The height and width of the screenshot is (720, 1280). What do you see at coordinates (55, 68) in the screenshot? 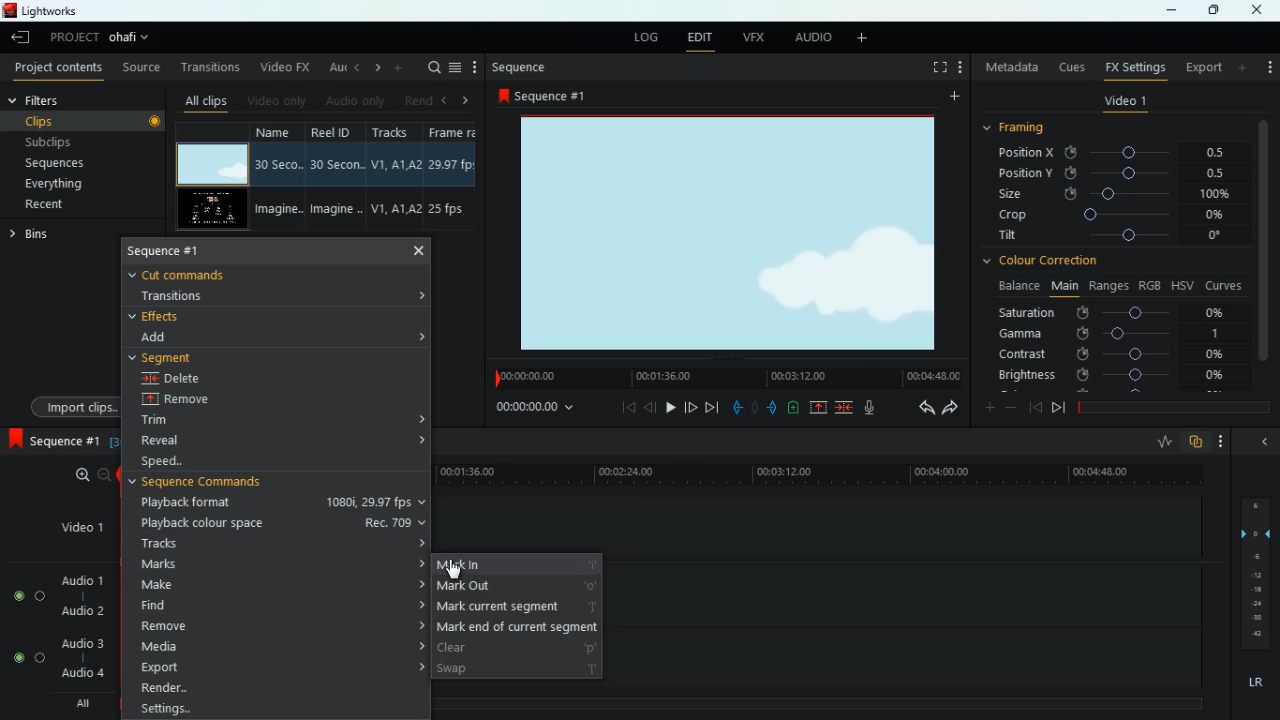
I see `project contents` at bounding box center [55, 68].